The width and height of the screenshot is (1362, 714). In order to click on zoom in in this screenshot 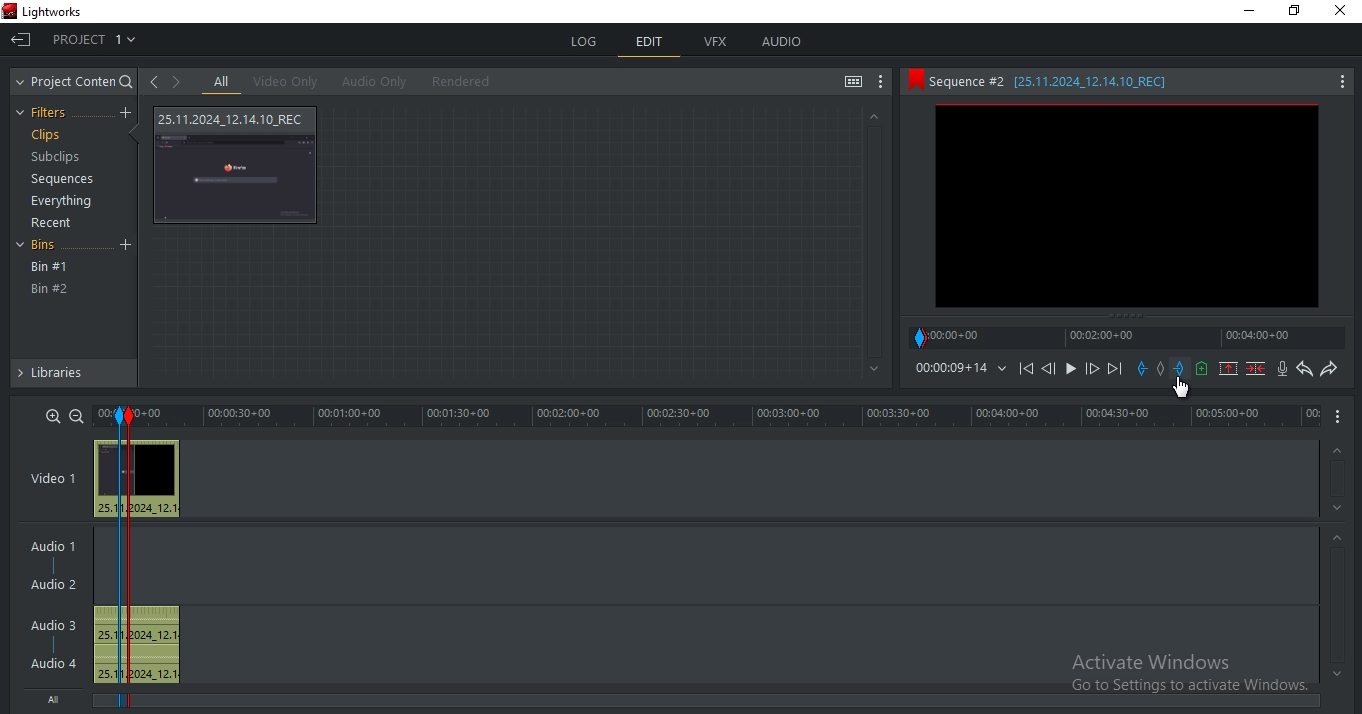, I will do `click(54, 415)`.